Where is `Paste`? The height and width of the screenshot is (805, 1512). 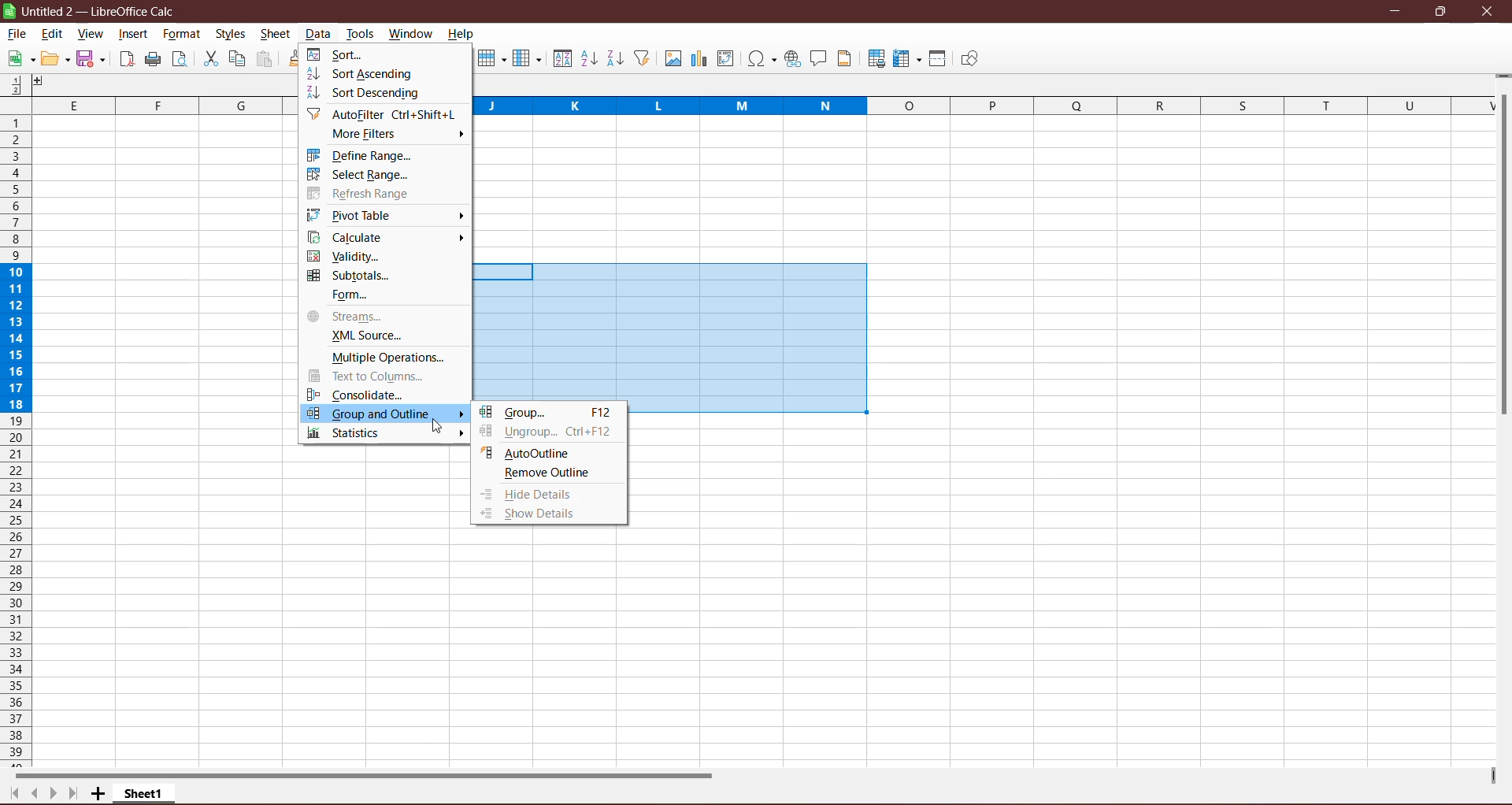
Paste is located at coordinates (265, 60).